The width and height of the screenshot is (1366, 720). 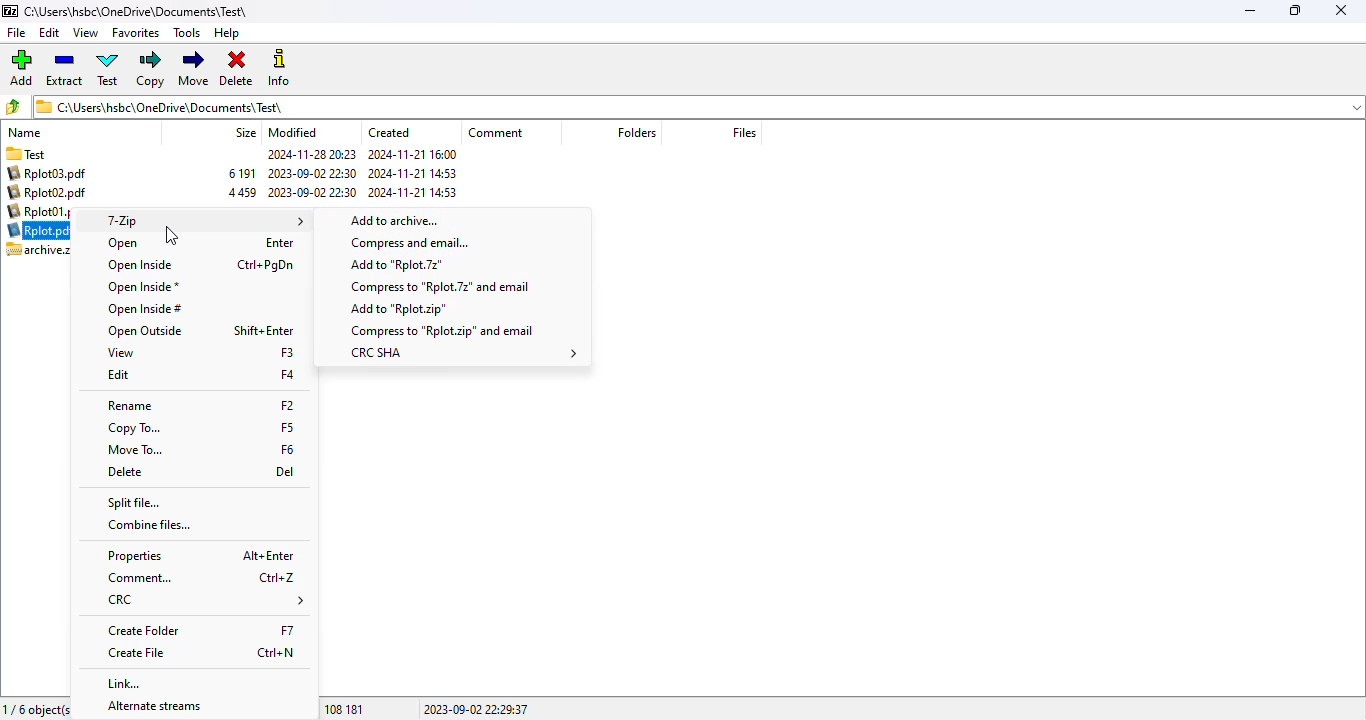 What do you see at coordinates (34, 250) in the screenshot?
I see `archive` at bounding box center [34, 250].